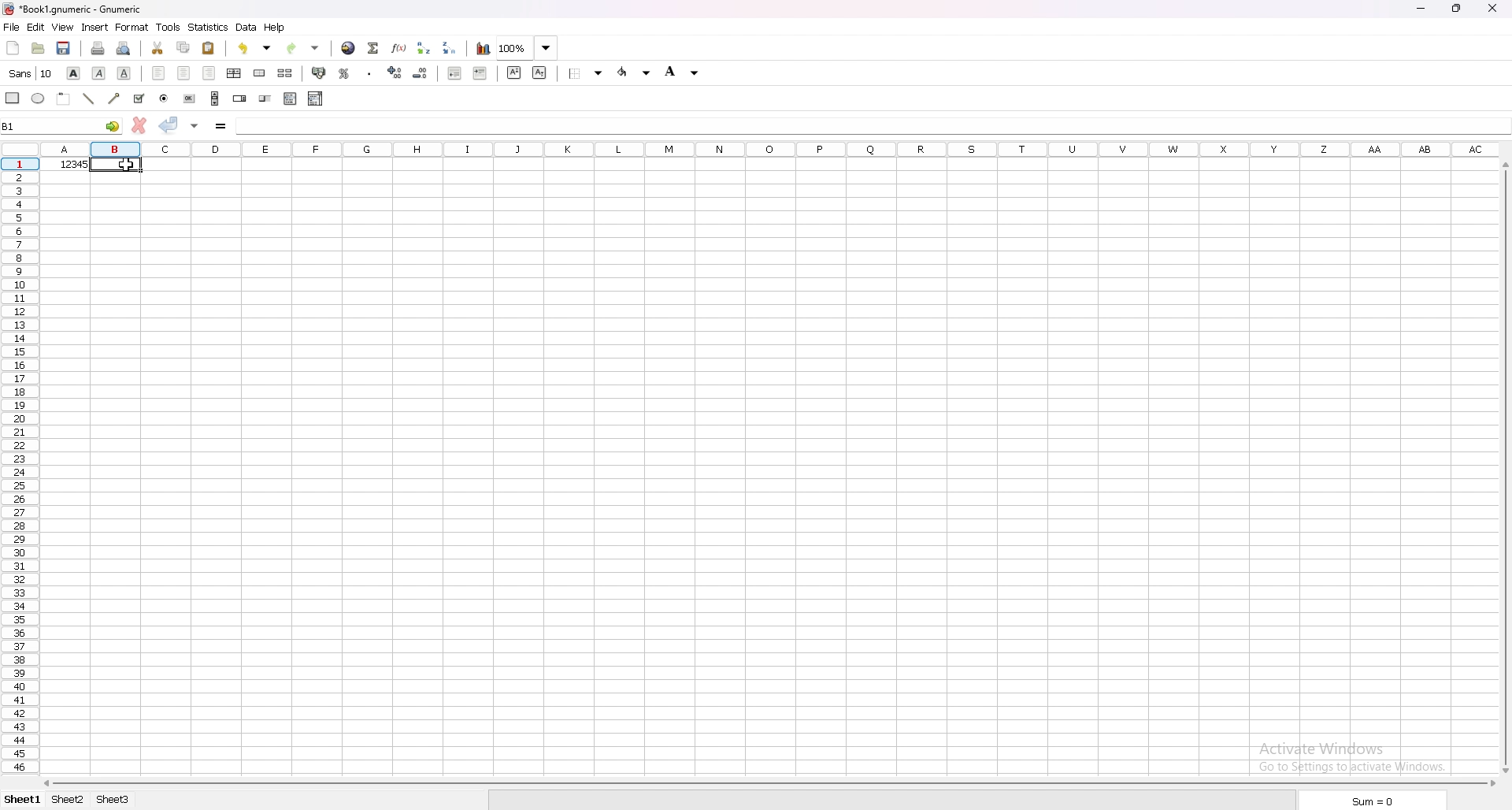 Image resolution: width=1512 pixels, height=810 pixels. What do you see at coordinates (64, 50) in the screenshot?
I see `save` at bounding box center [64, 50].